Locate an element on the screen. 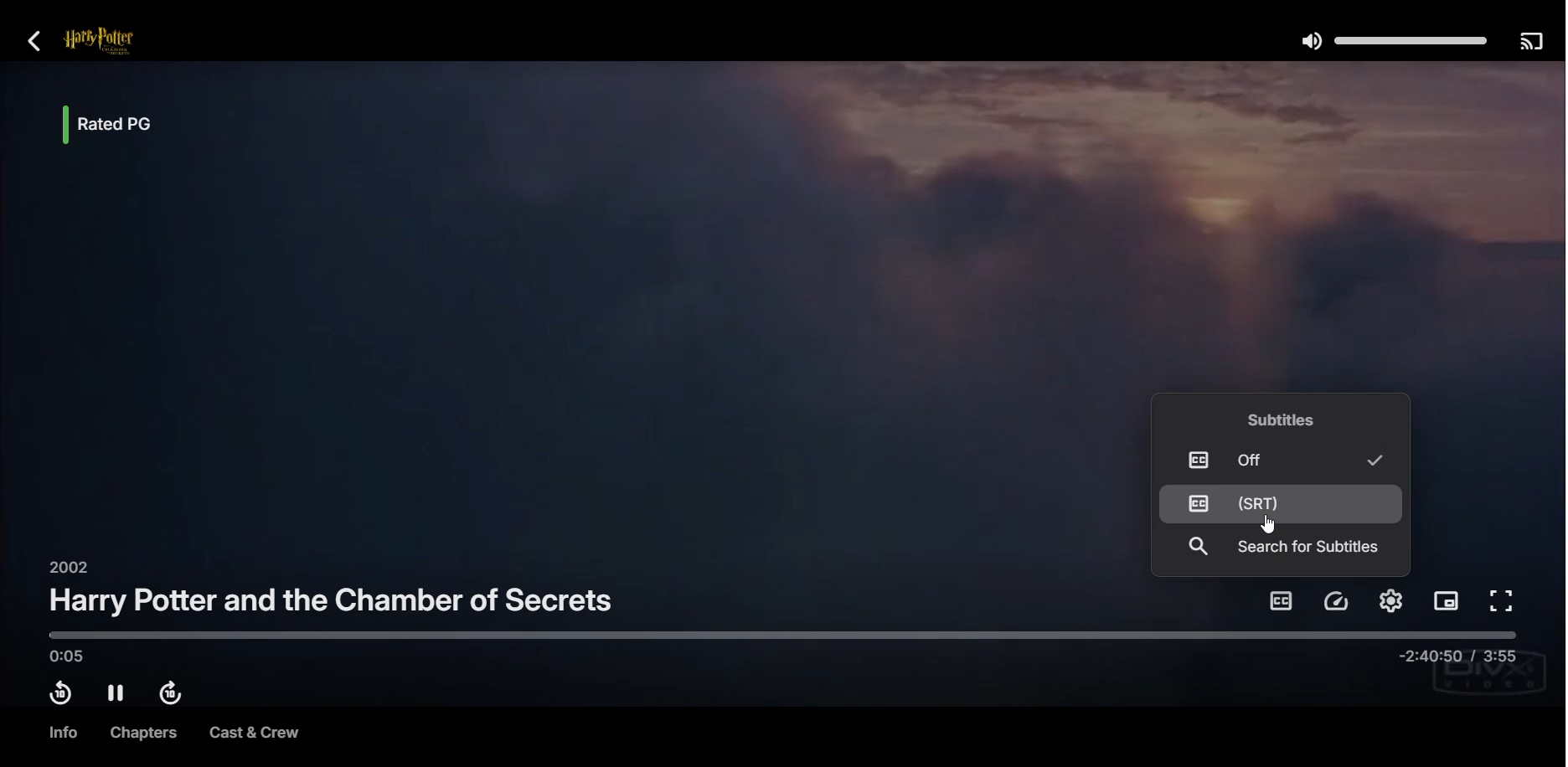  Fast-forward is located at coordinates (174, 695).